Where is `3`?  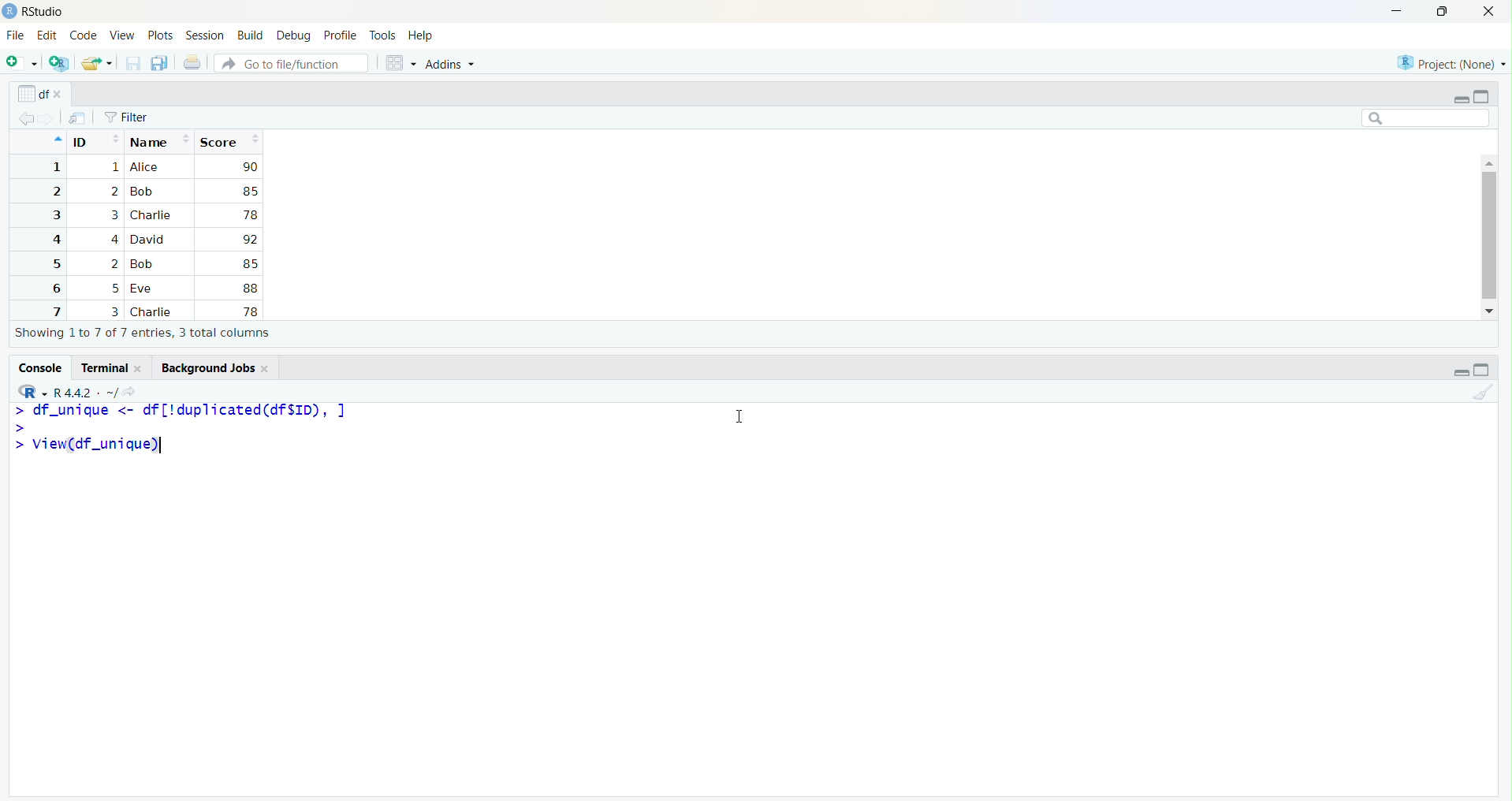
3 is located at coordinates (114, 311).